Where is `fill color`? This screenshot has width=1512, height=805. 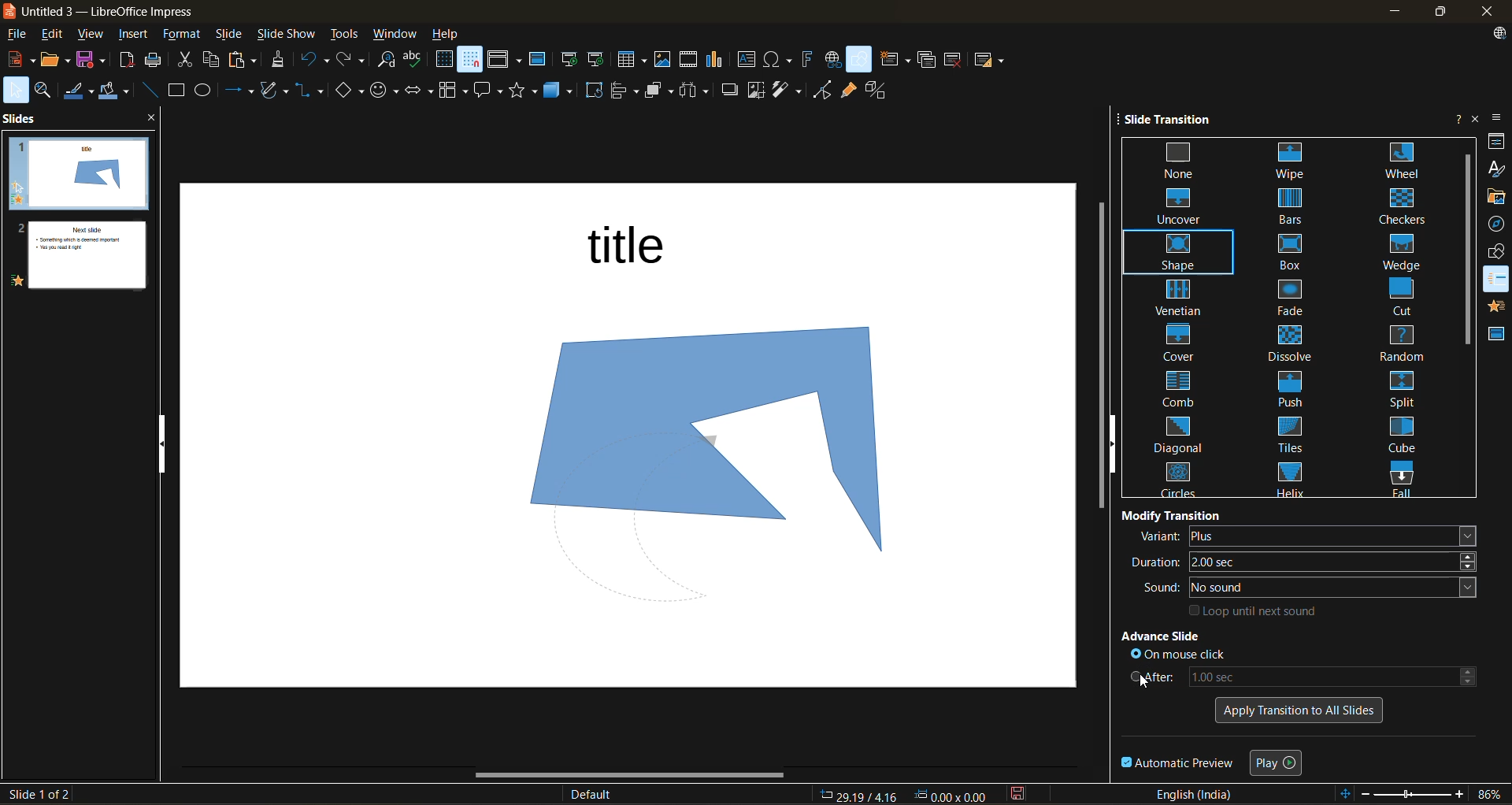 fill color is located at coordinates (117, 93).